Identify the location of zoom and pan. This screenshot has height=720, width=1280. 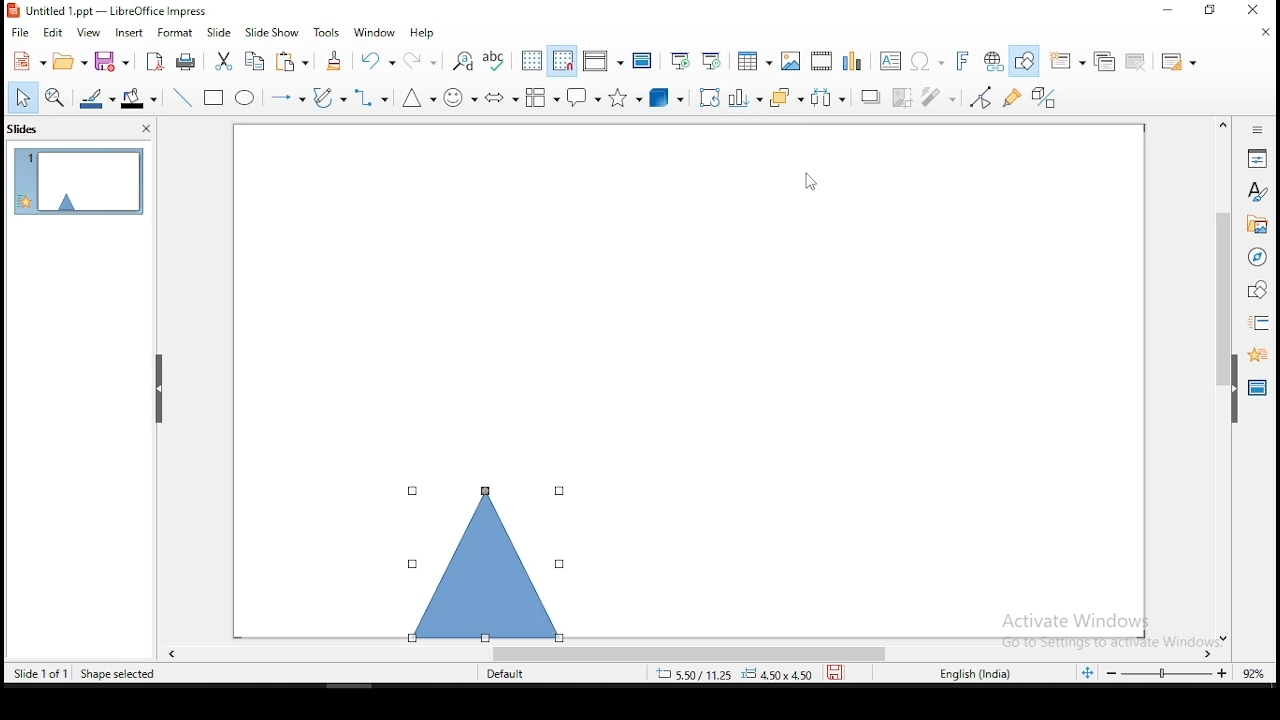
(58, 97).